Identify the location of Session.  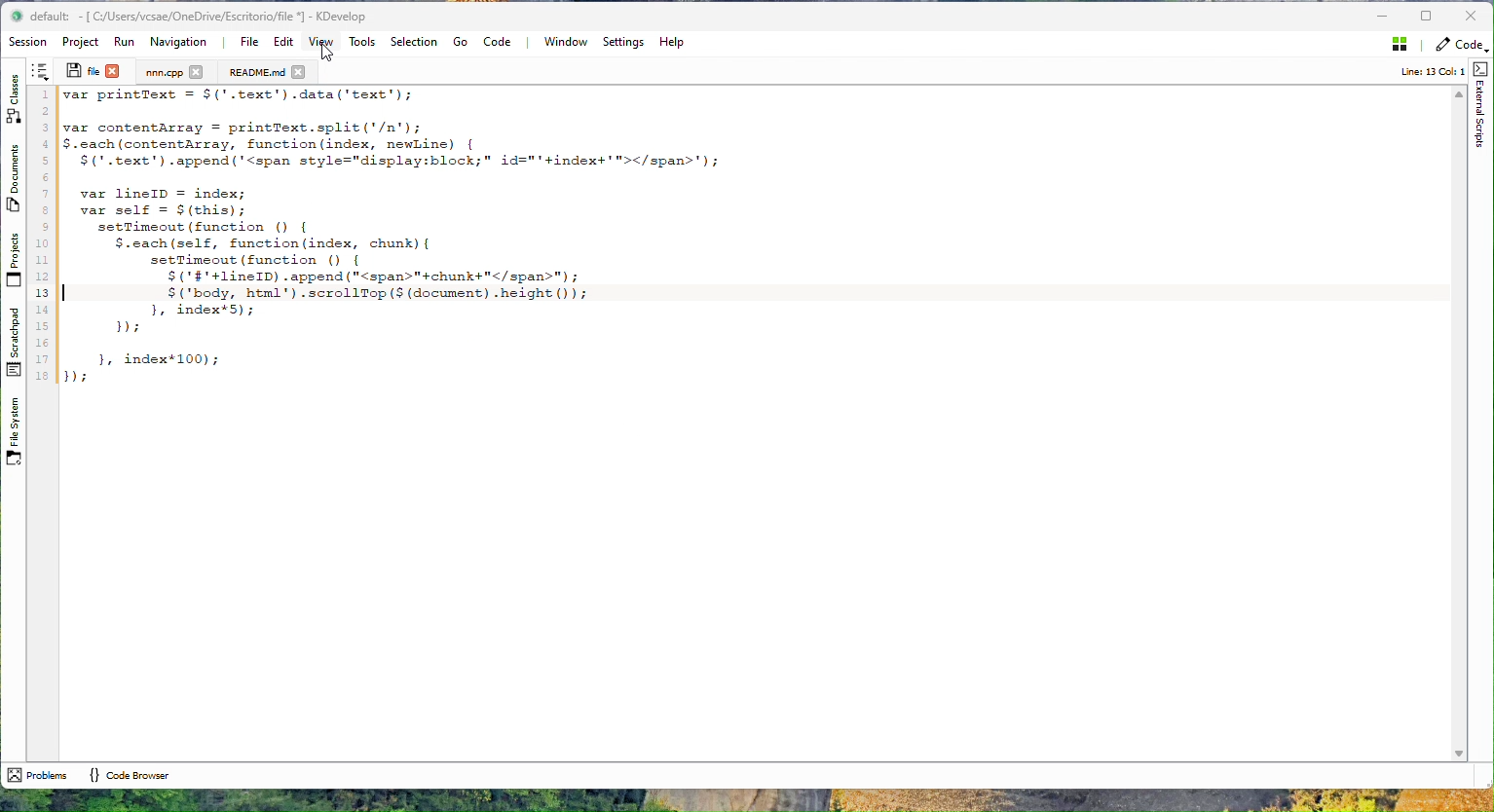
(30, 43).